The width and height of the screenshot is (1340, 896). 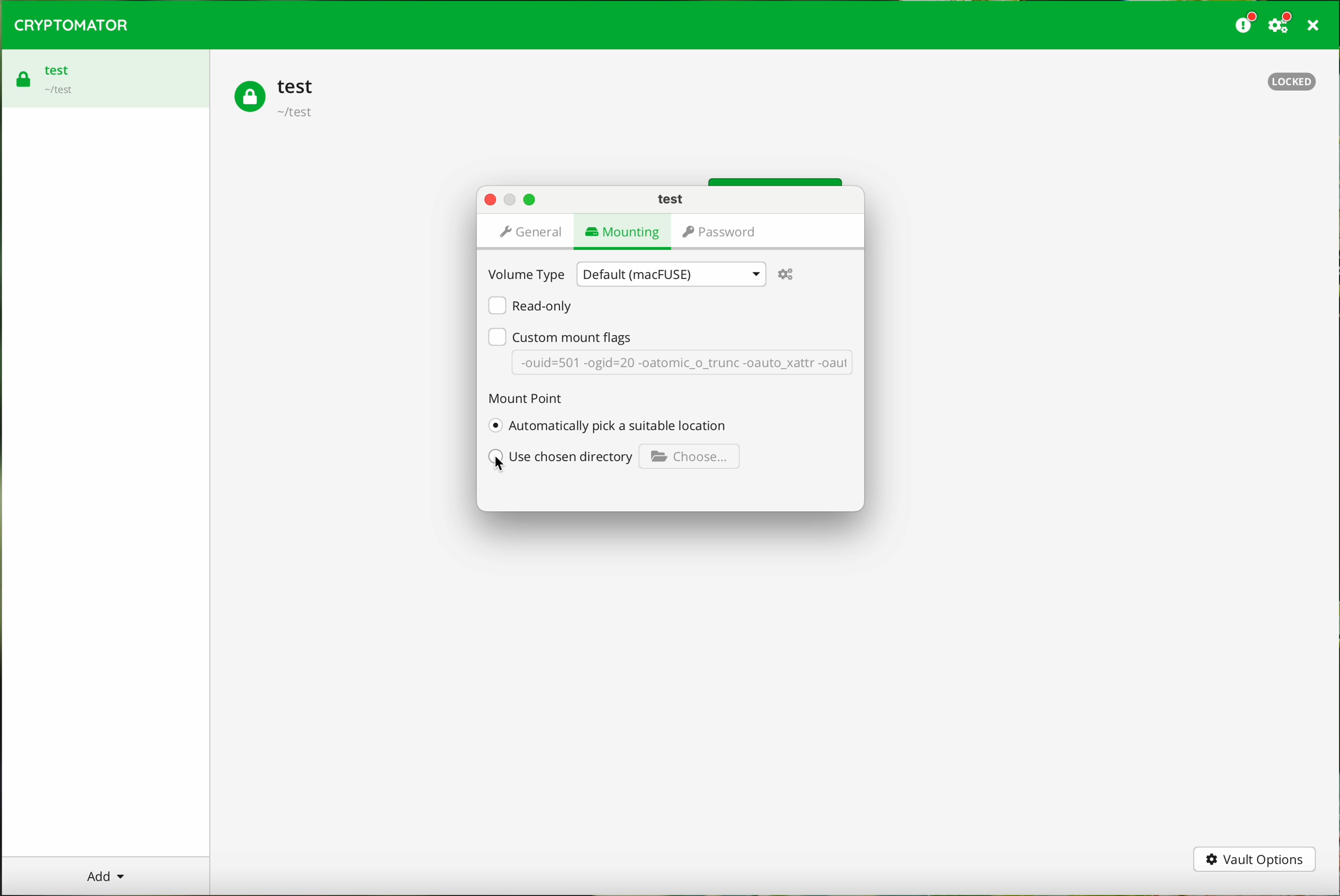 What do you see at coordinates (787, 275) in the screenshot?
I see `settings` at bounding box center [787, 275].